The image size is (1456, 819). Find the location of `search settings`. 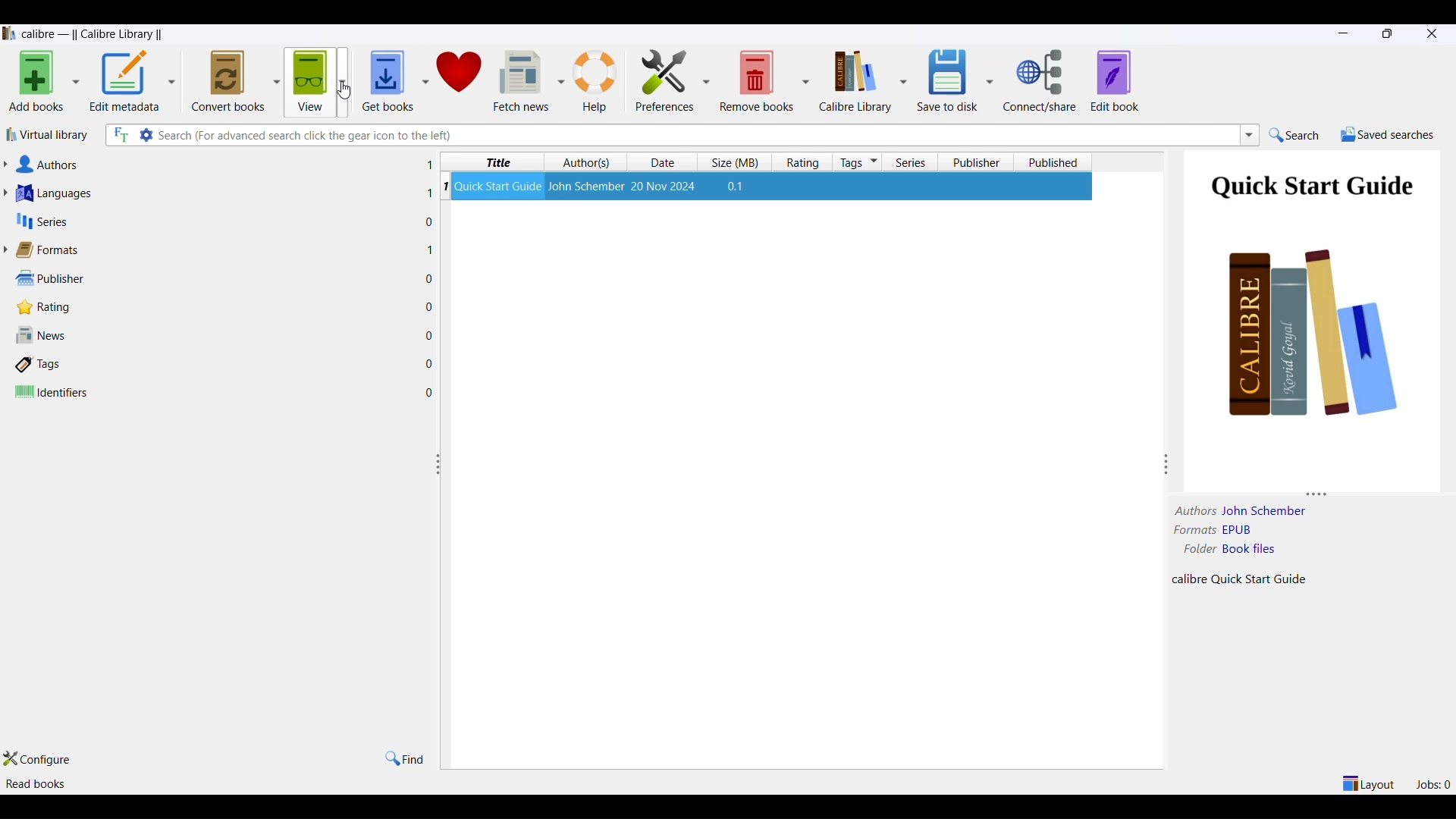

search settings is located at coordinates (147, 136).